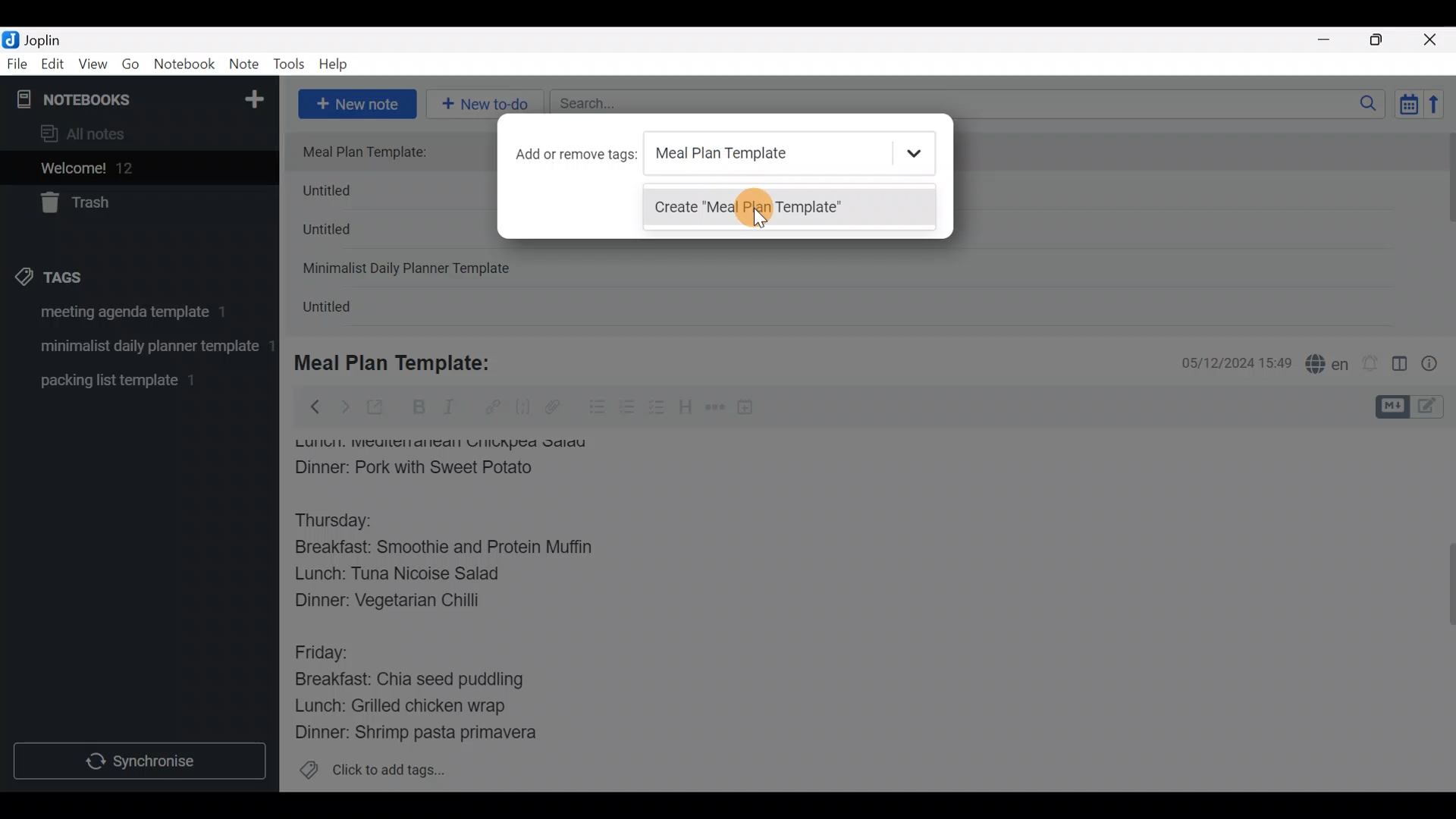 This screenshot has height=819, width=1456. I want to click on File, so click(18, 64).